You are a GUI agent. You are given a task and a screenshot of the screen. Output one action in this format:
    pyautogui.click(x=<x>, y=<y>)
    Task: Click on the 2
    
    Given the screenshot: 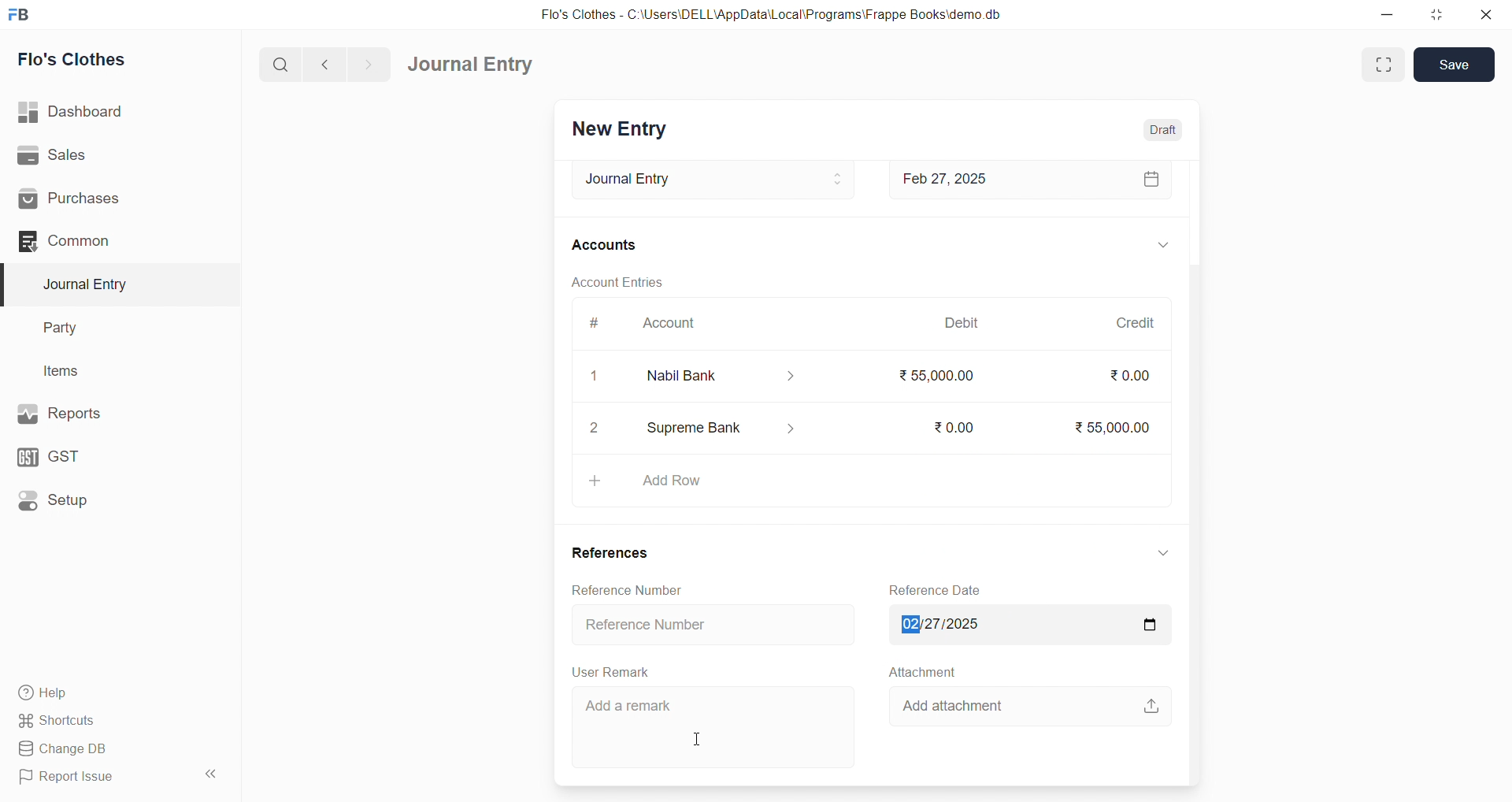 What is the action you would take?
    pyautogui.click(x=598, y=430)
    